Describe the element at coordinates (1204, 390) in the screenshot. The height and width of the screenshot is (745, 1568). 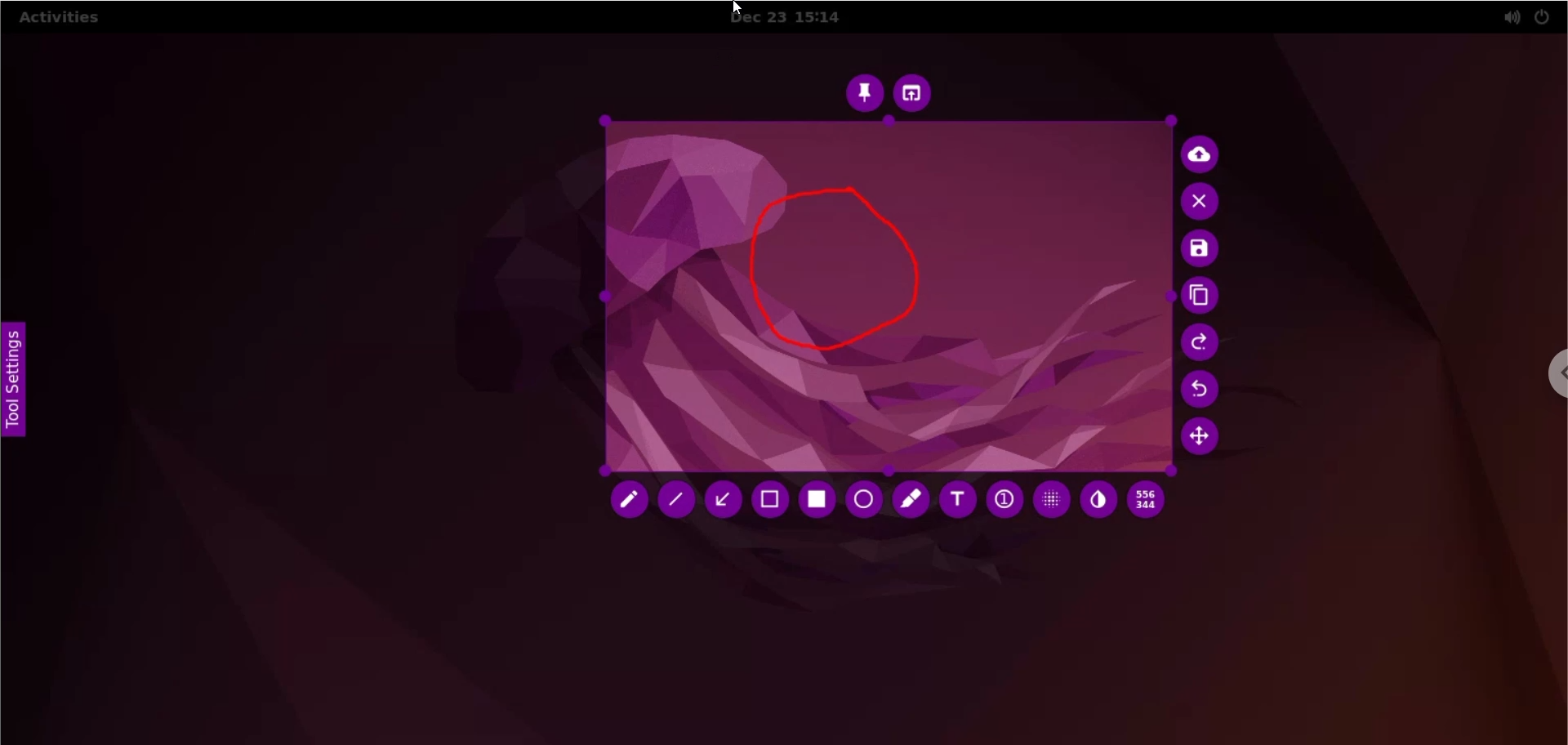
I see `undo` at that location.